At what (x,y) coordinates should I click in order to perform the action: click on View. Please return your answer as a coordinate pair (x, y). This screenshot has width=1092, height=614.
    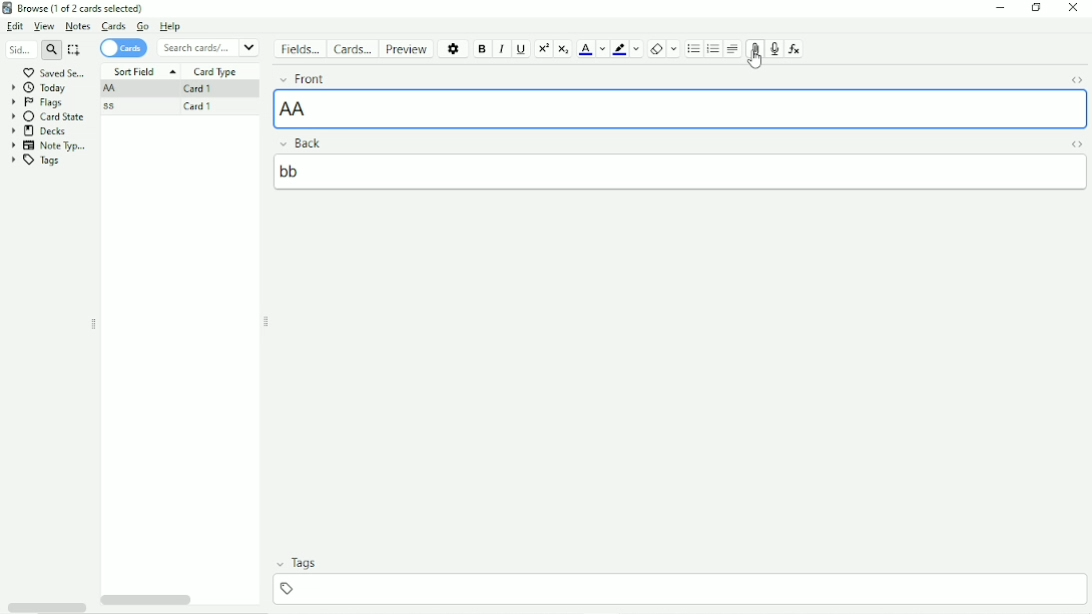
    Looking at the image, I should click on (45, 26).